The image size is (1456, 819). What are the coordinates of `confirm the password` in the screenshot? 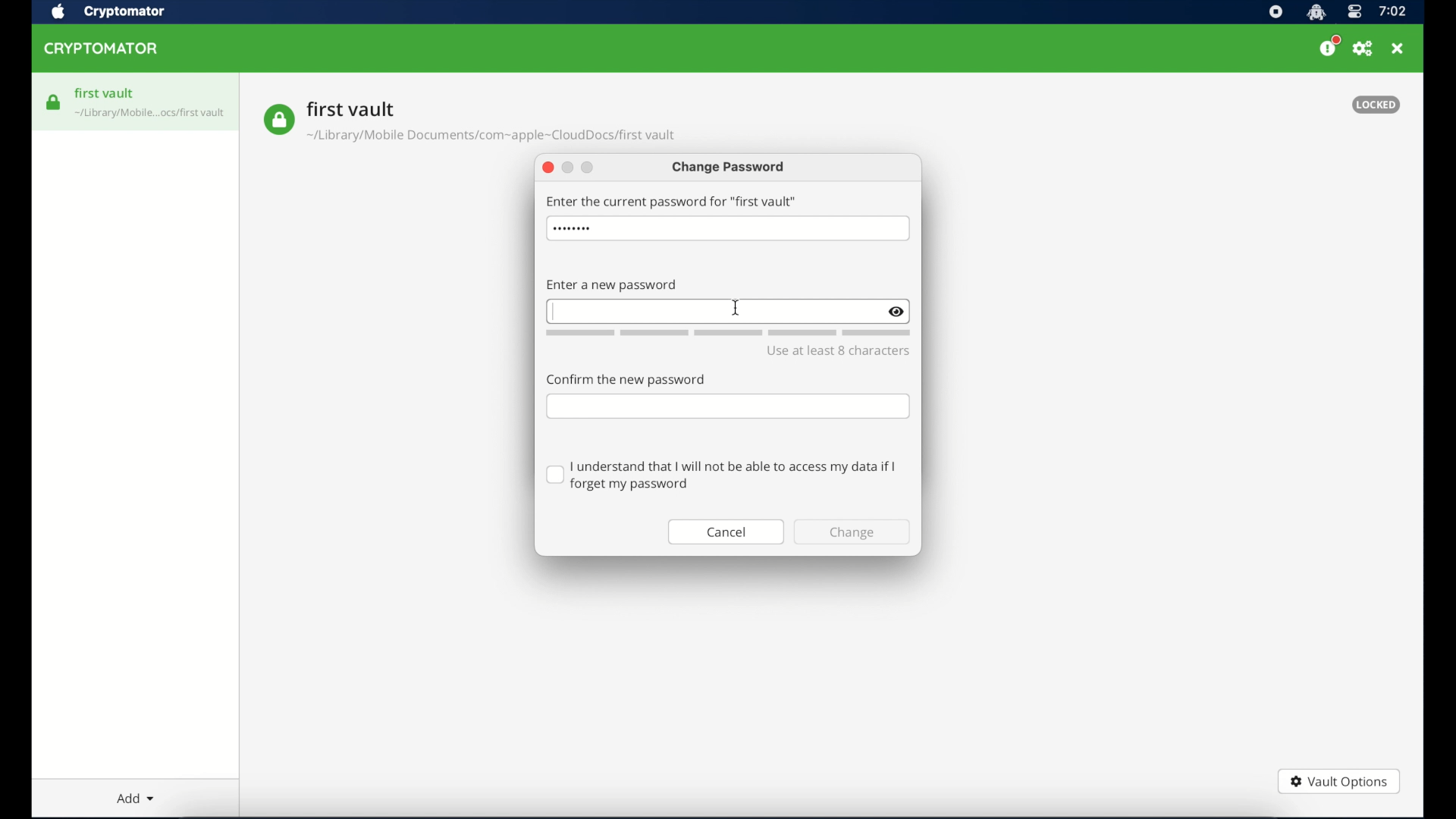 It's located at (626, 379).